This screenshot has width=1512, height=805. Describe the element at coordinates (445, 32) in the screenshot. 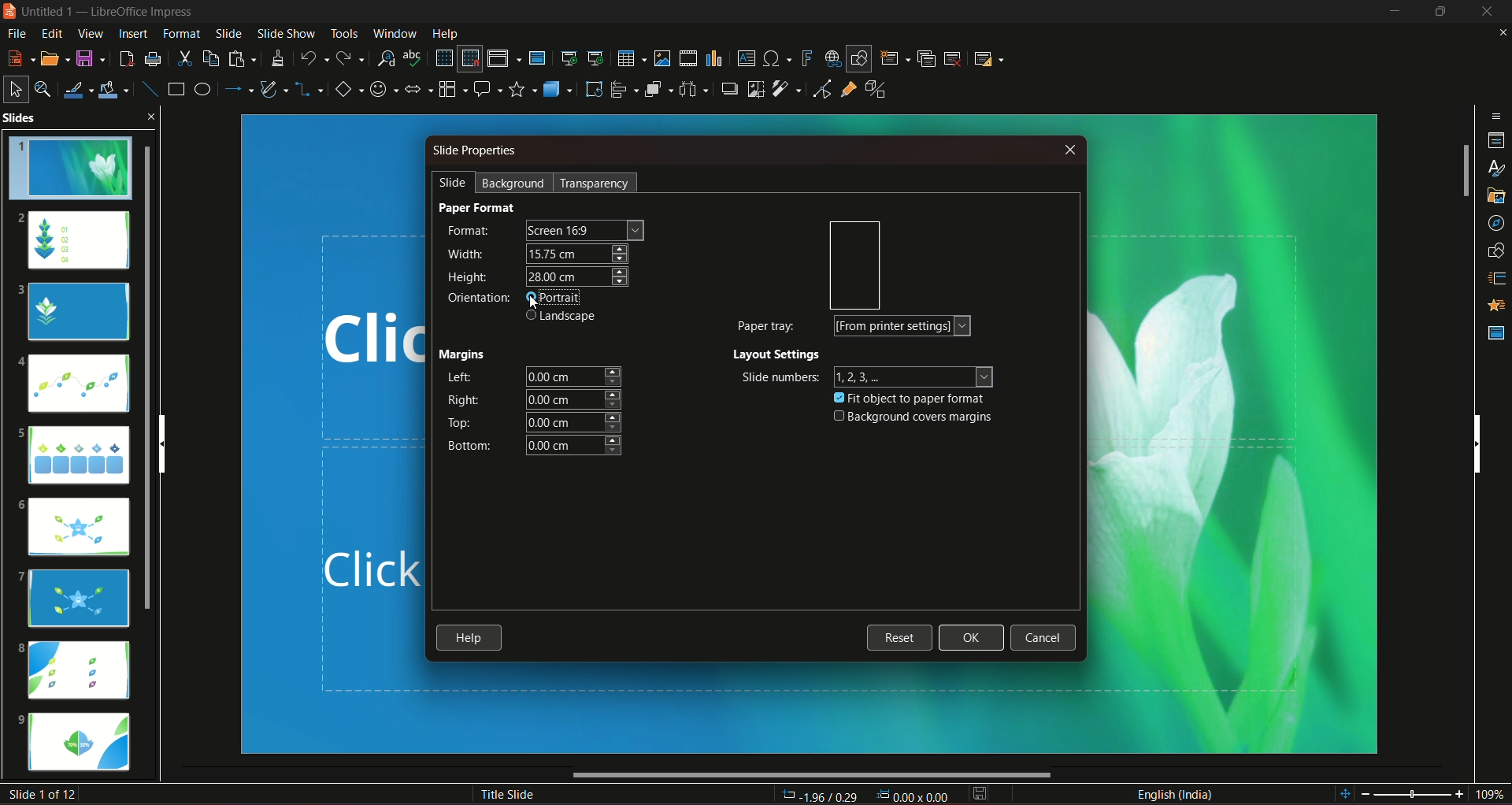

I see `help` at that location.